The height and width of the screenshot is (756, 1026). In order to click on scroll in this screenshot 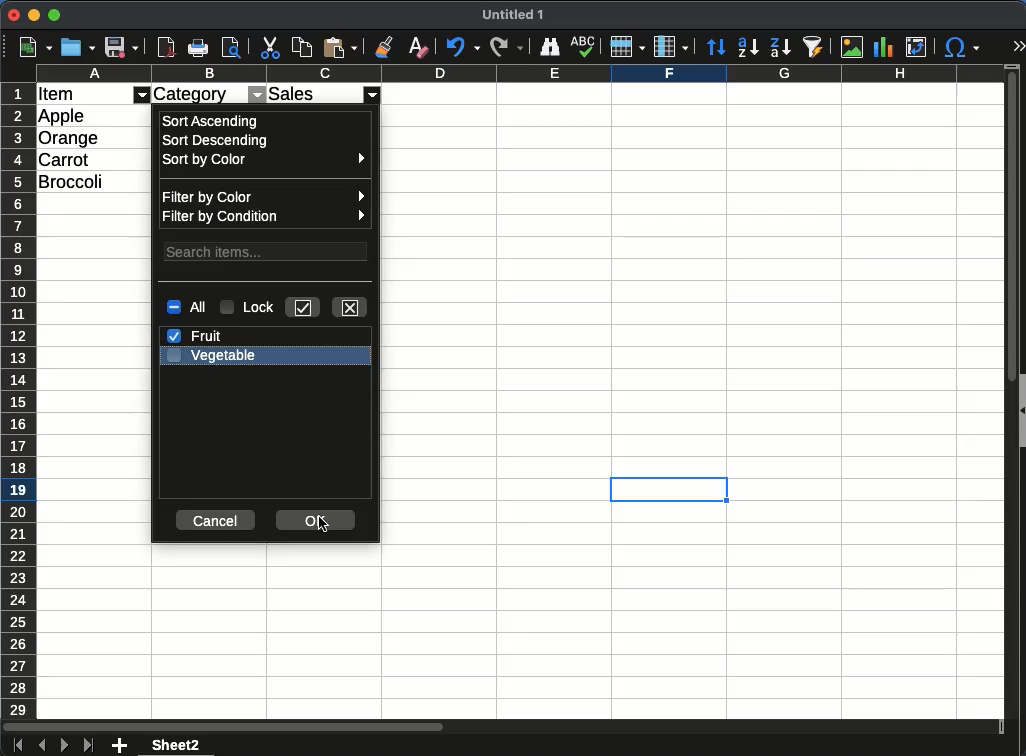, I will do `click(1008, 402)`.